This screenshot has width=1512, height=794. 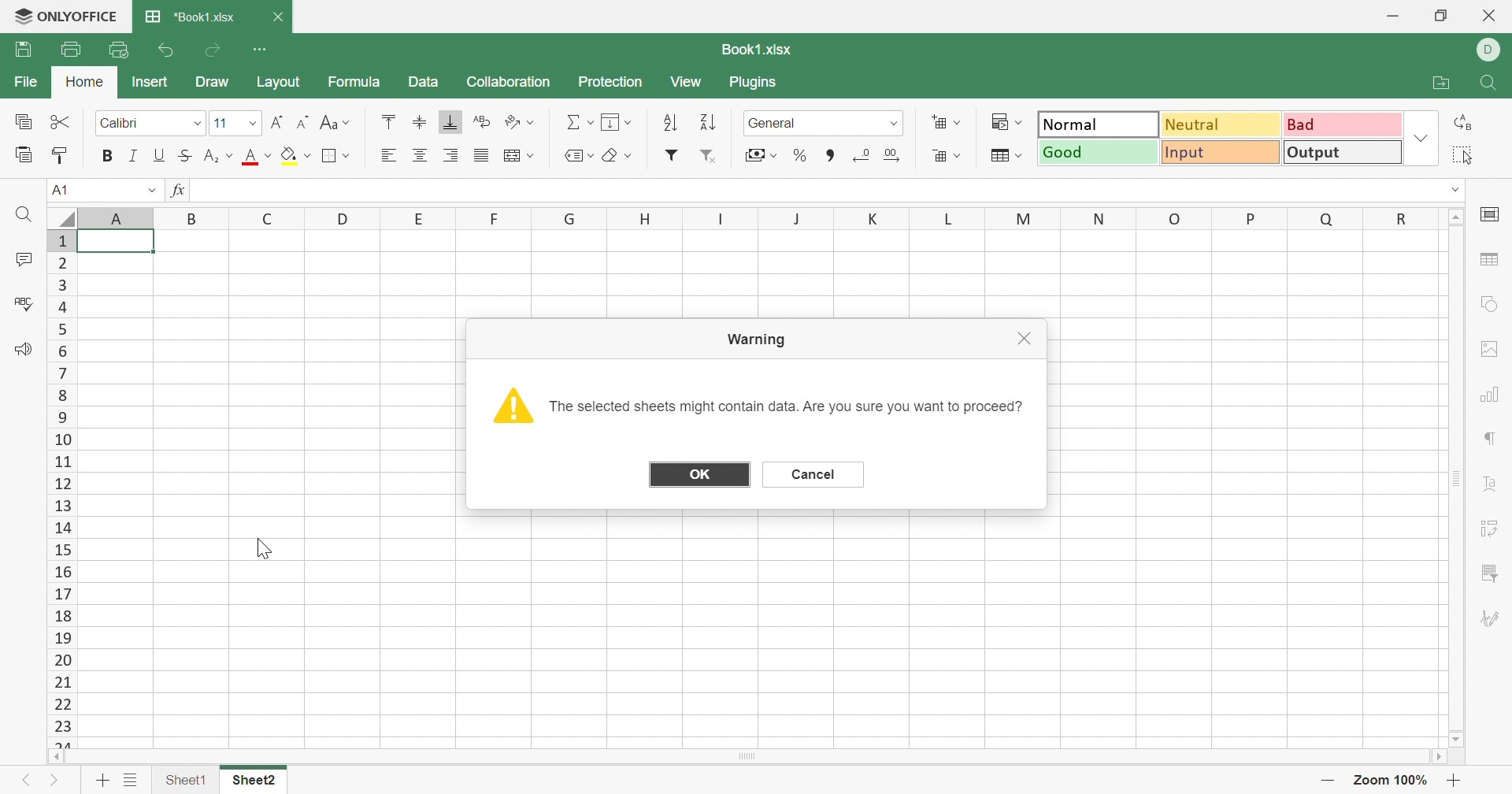 I want to click on Decrease decimal, so click(x=862, y=154).